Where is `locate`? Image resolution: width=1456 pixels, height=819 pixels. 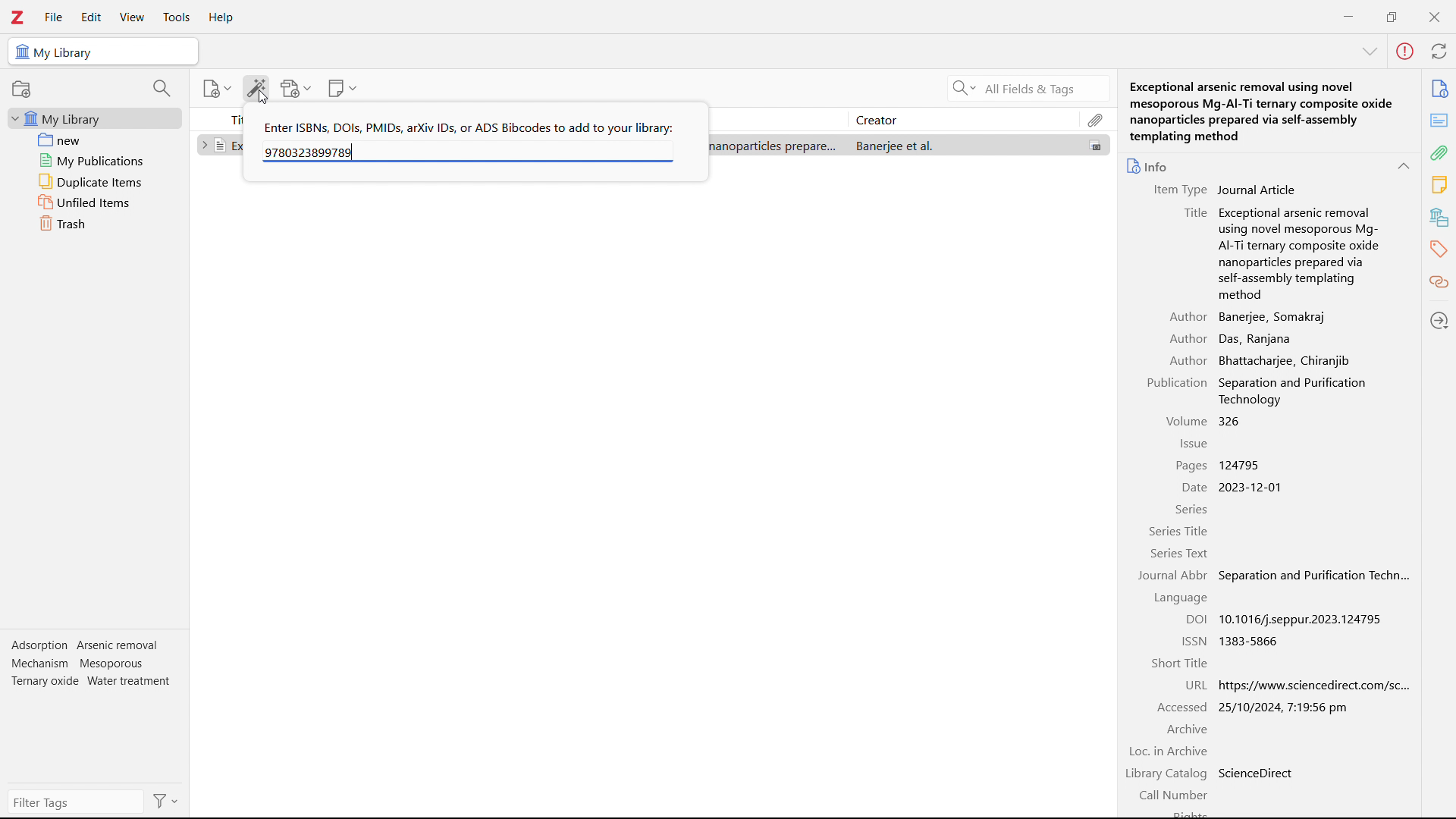
locate is located at coordinates (1440, 319).